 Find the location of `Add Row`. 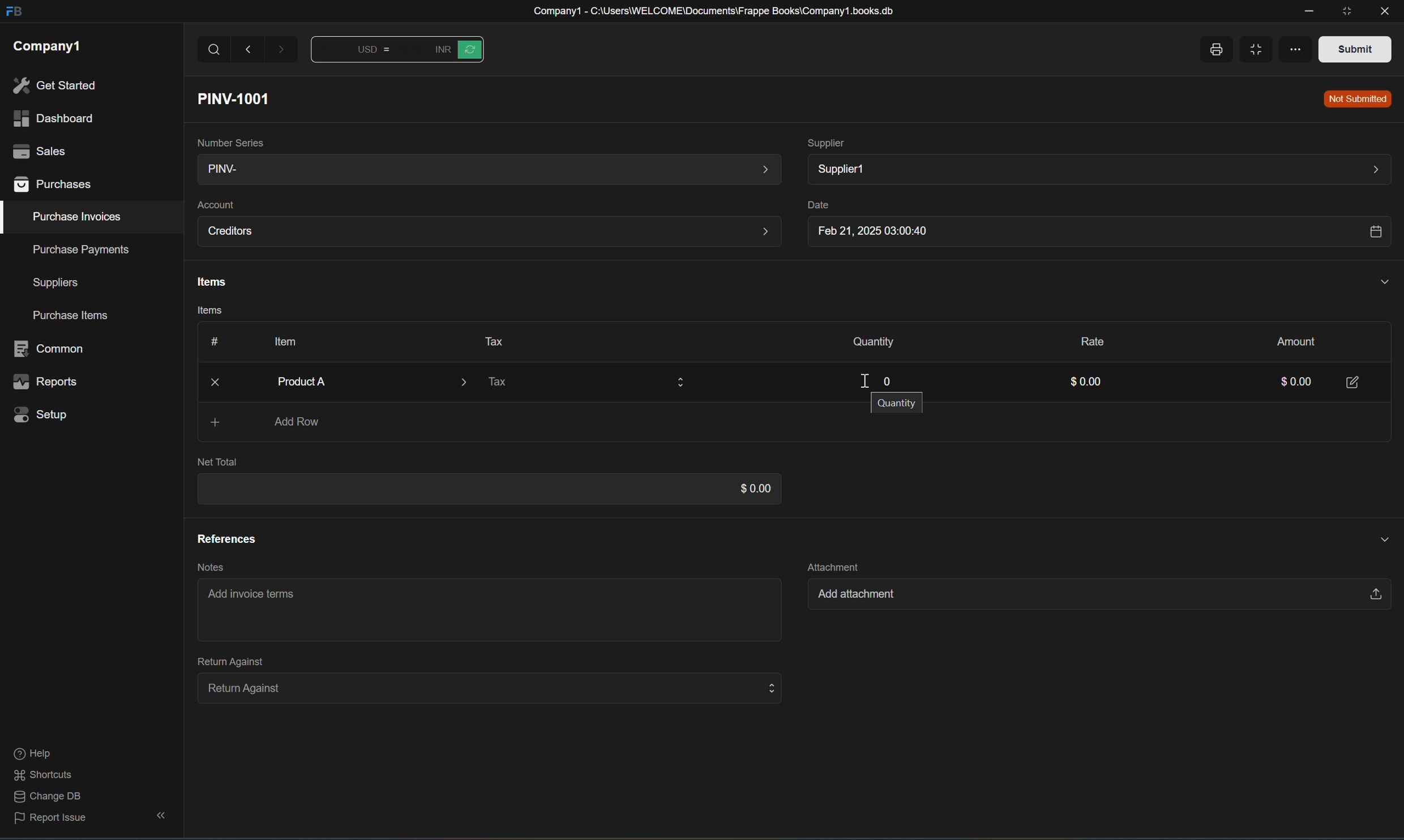

Add Row is located at coordinates (299, 423).